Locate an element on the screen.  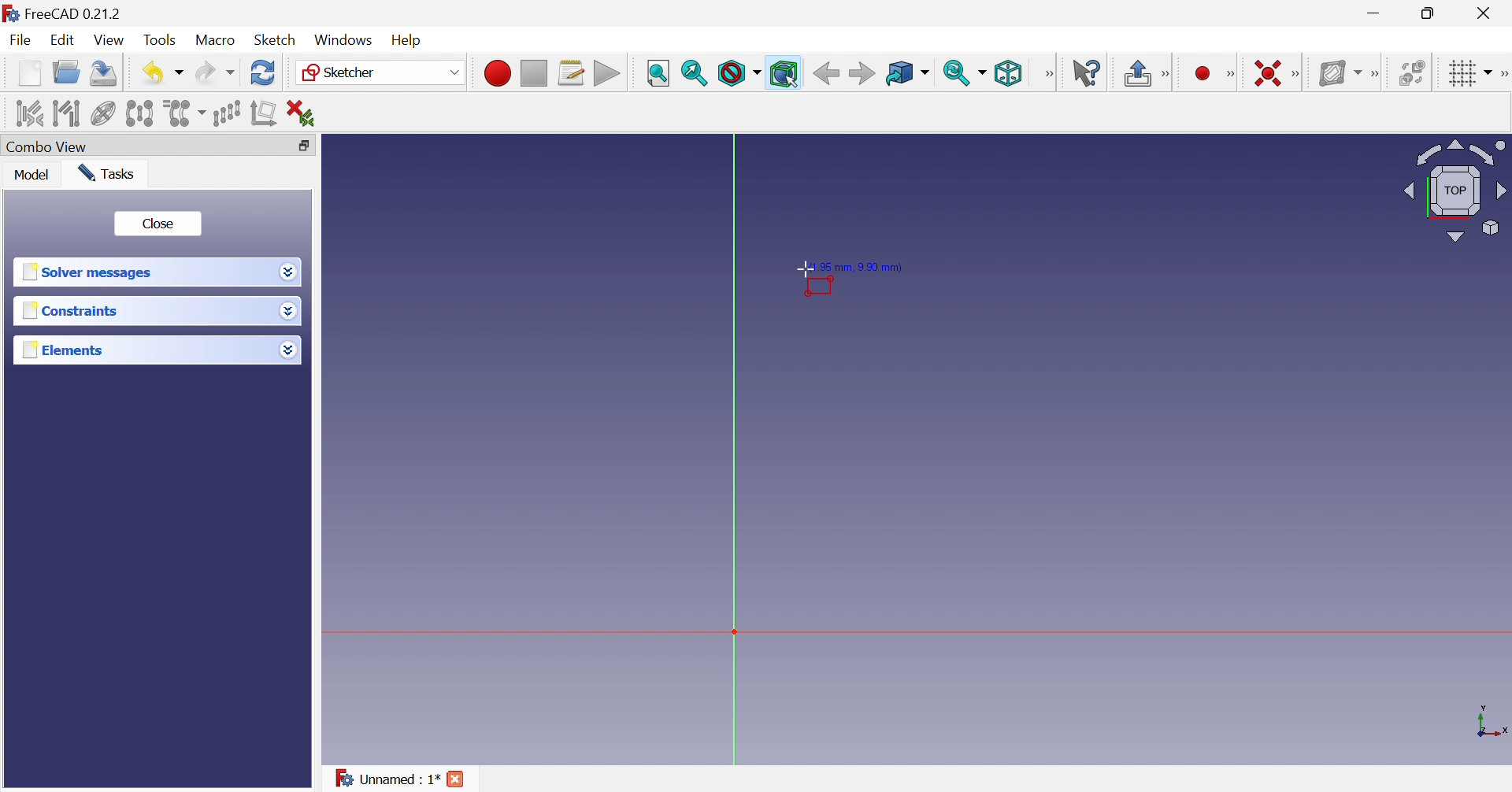
Restore down is located at coordinates (1432, 13).